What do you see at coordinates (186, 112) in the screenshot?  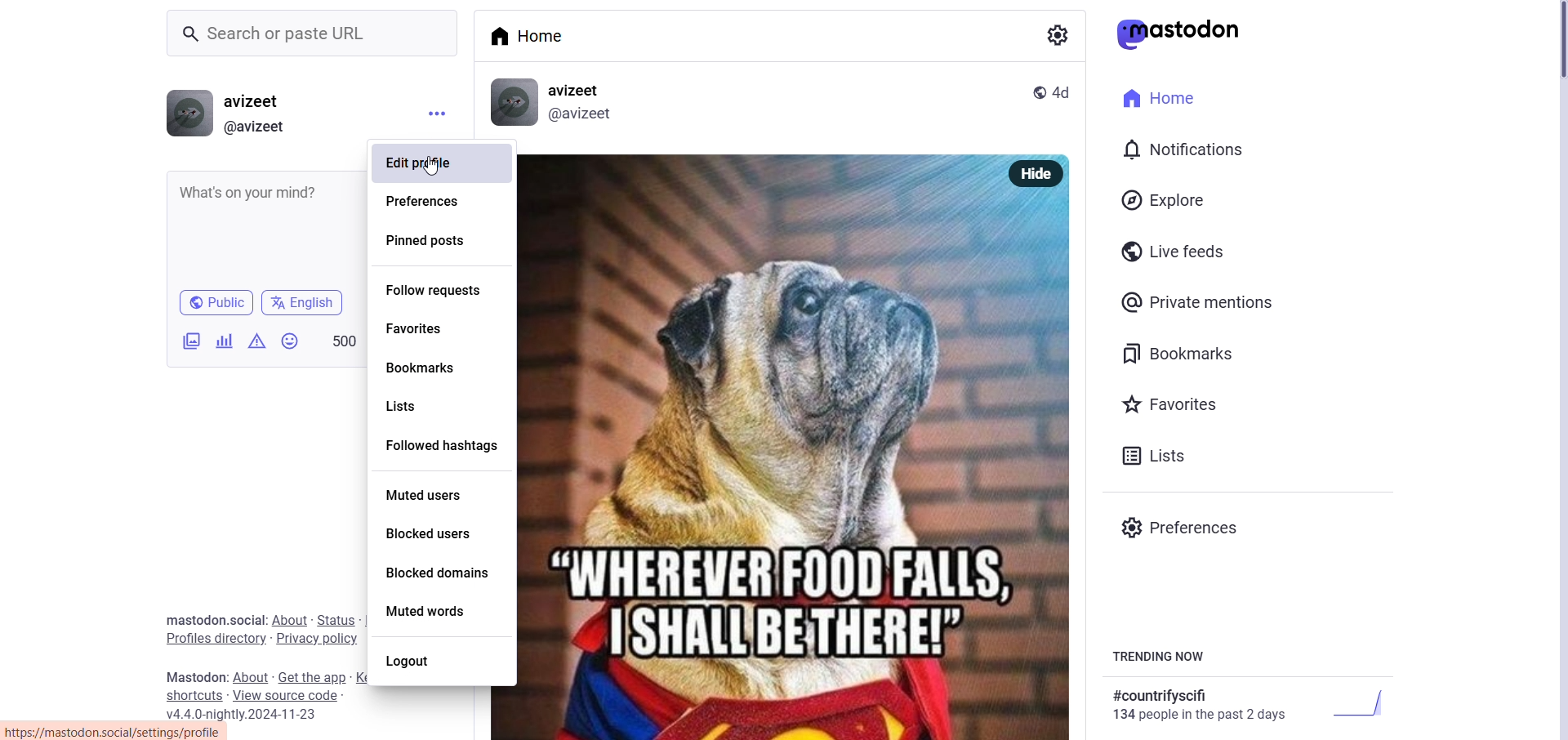 I see `display picture` at bounding box center [186, 112].